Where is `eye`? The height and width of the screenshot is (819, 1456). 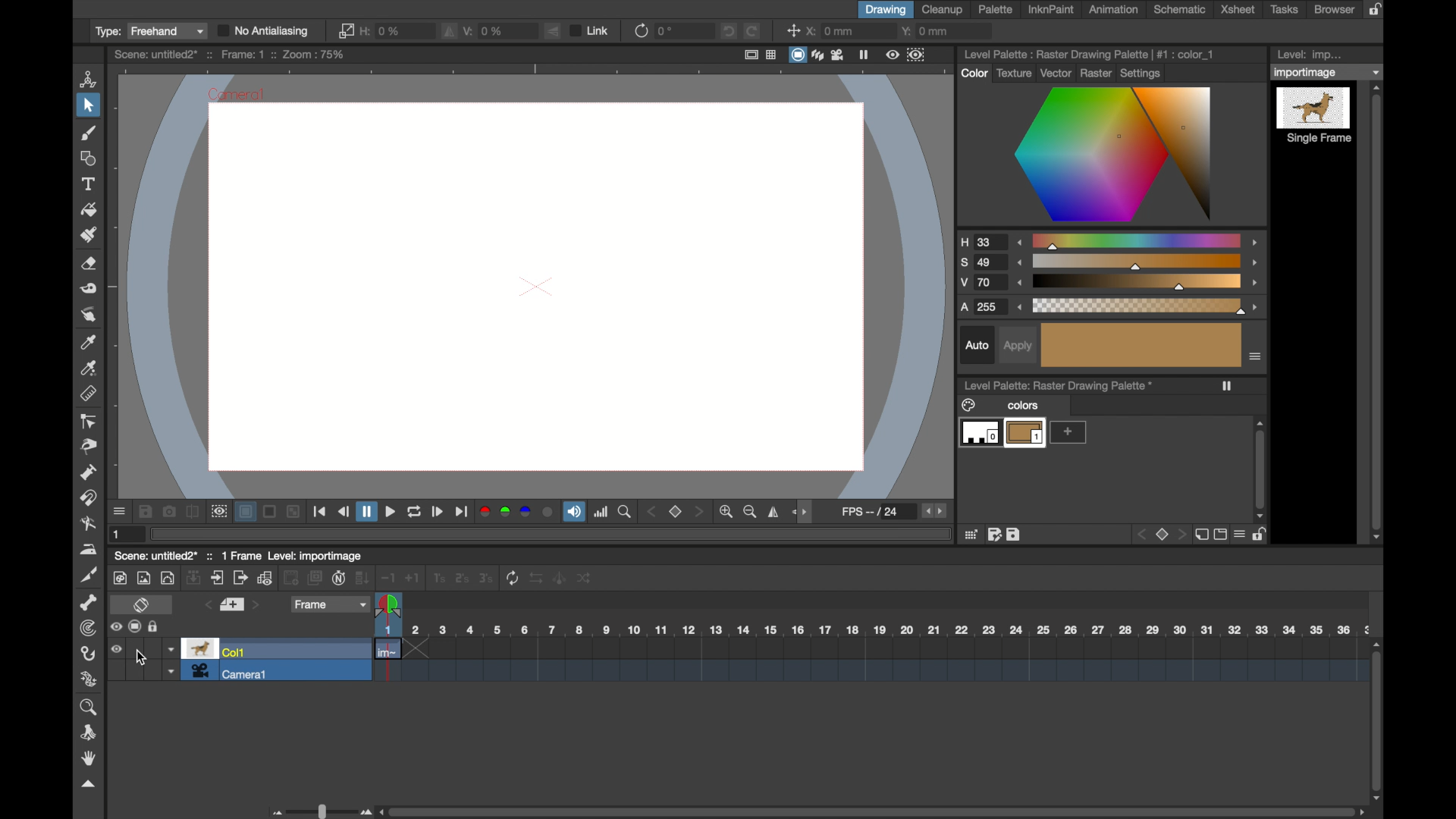 eye is located at coordinates (116, 649).